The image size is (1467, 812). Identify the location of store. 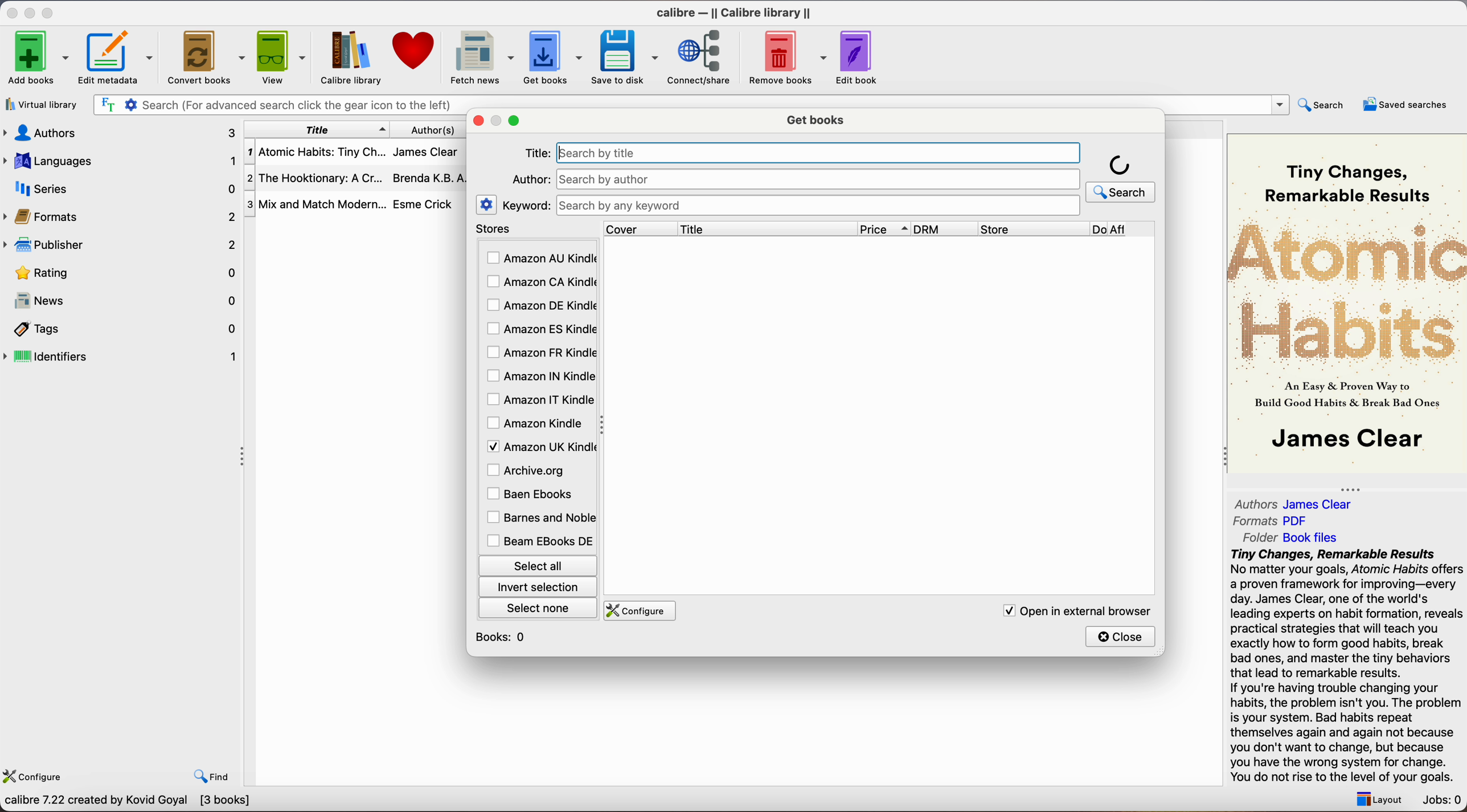
(1032, 229).